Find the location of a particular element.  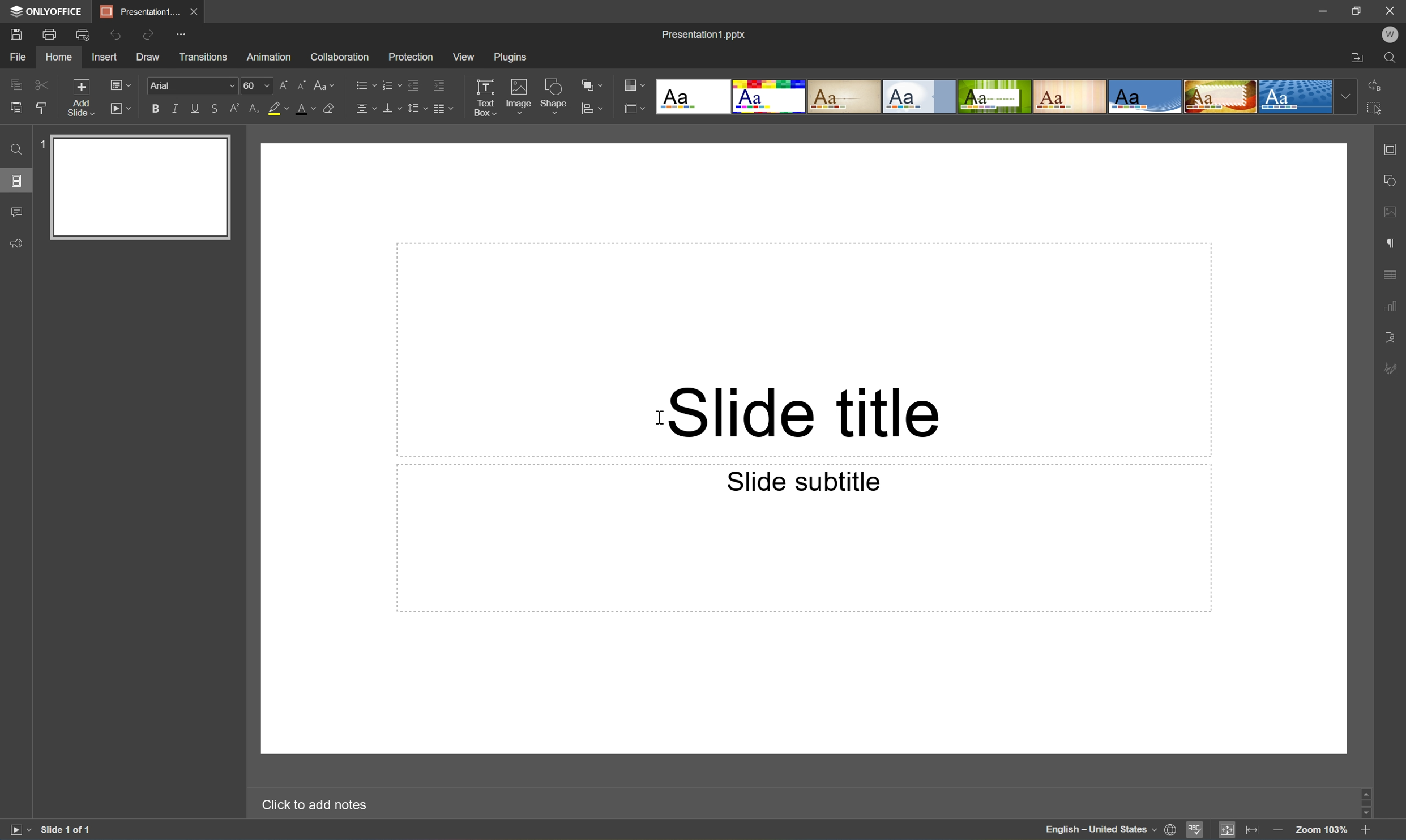

Close is located at coordinates (1390, 10).